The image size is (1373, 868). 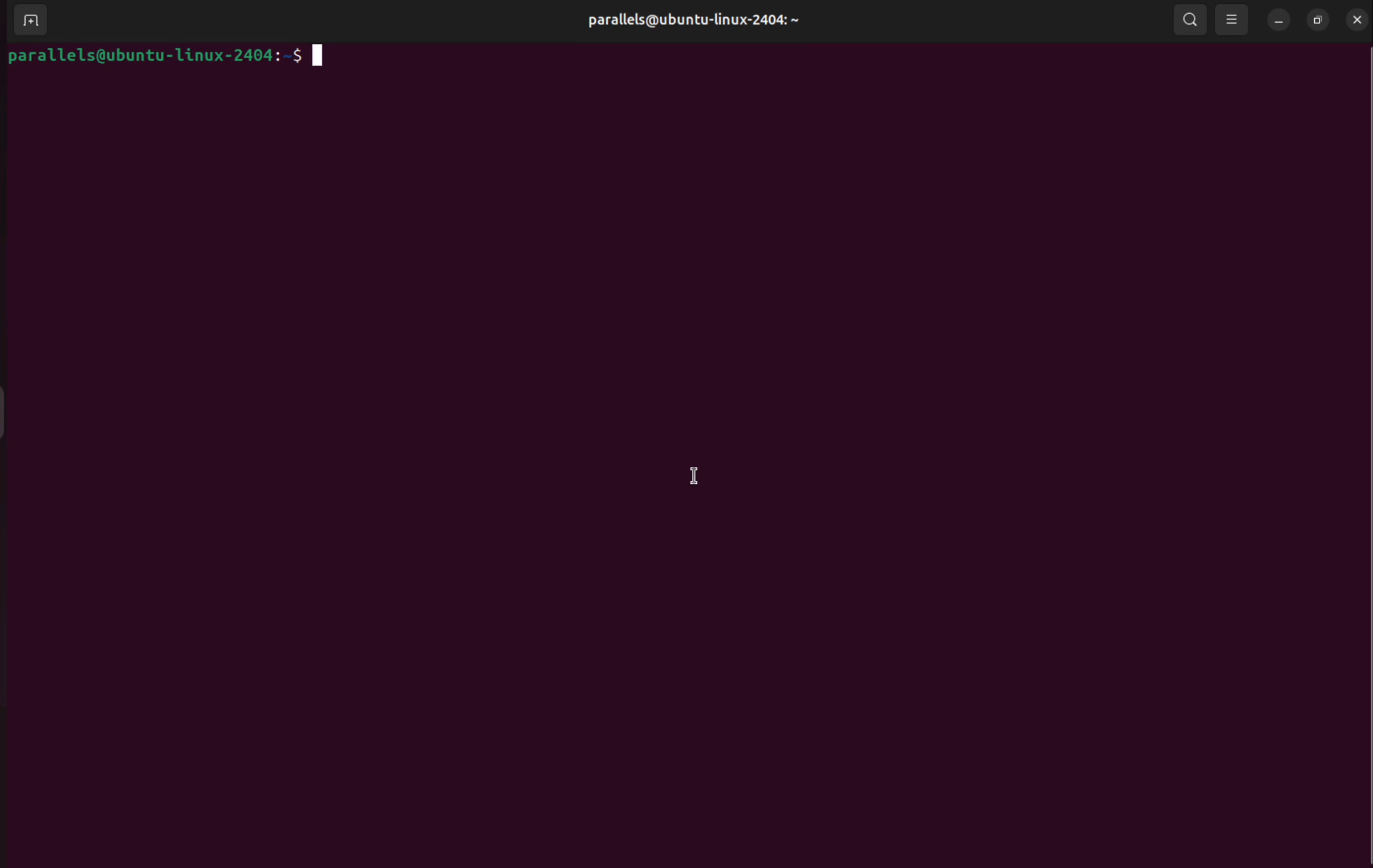 What do you see at coordinates (702, 23) in the screenshot?
I see `parallels@ubuntu-linux-2404: ~` at bounding box center [702, 23].